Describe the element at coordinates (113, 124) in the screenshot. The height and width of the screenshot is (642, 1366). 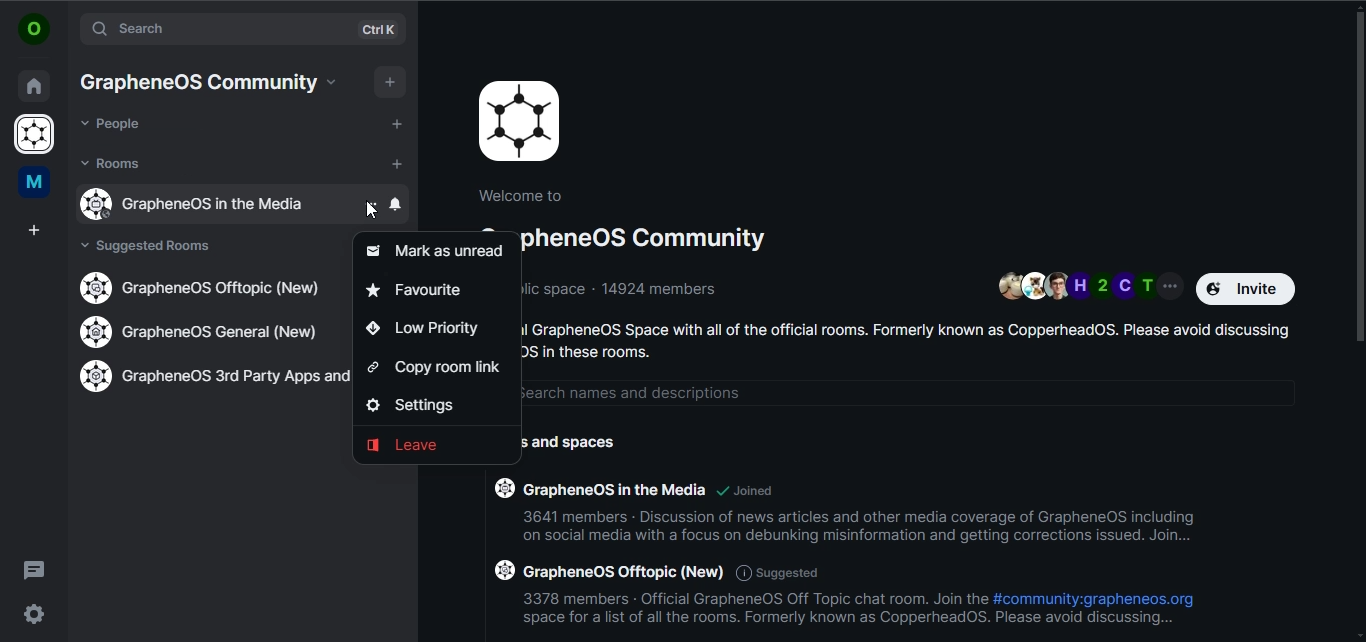
I see `people` at that location.